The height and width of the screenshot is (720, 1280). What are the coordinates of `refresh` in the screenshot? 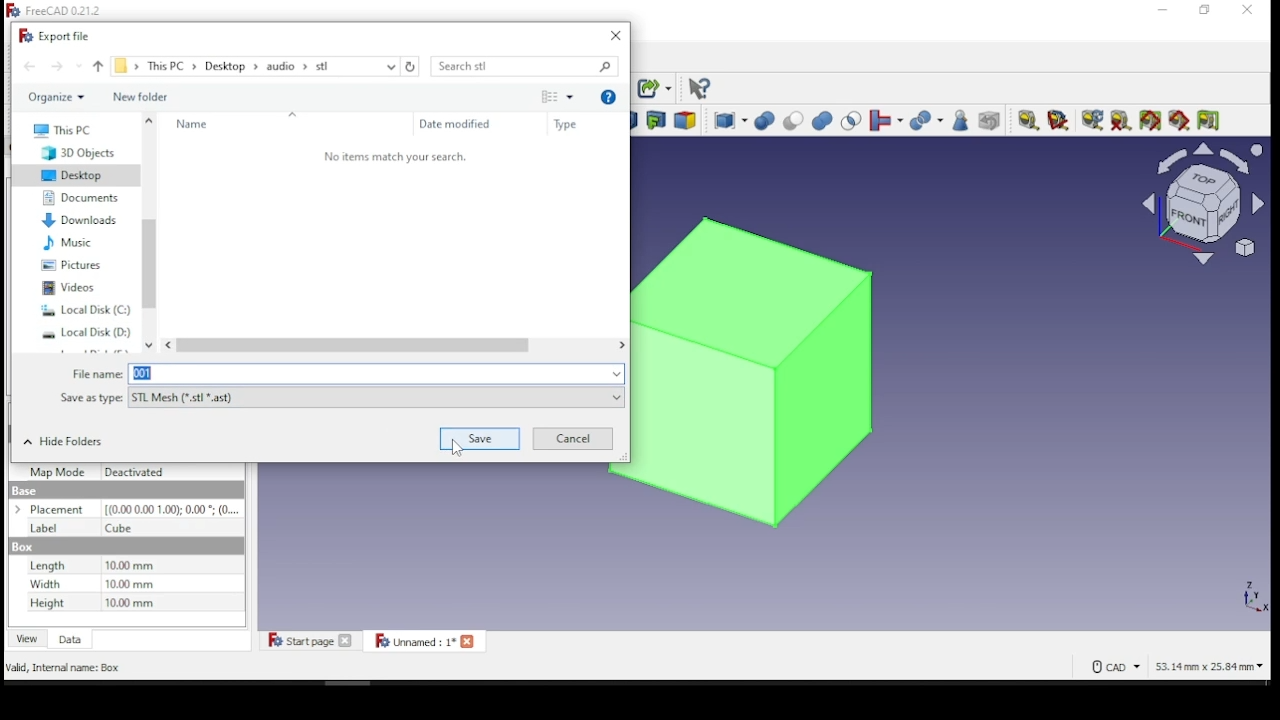 It's located at (409, 66).